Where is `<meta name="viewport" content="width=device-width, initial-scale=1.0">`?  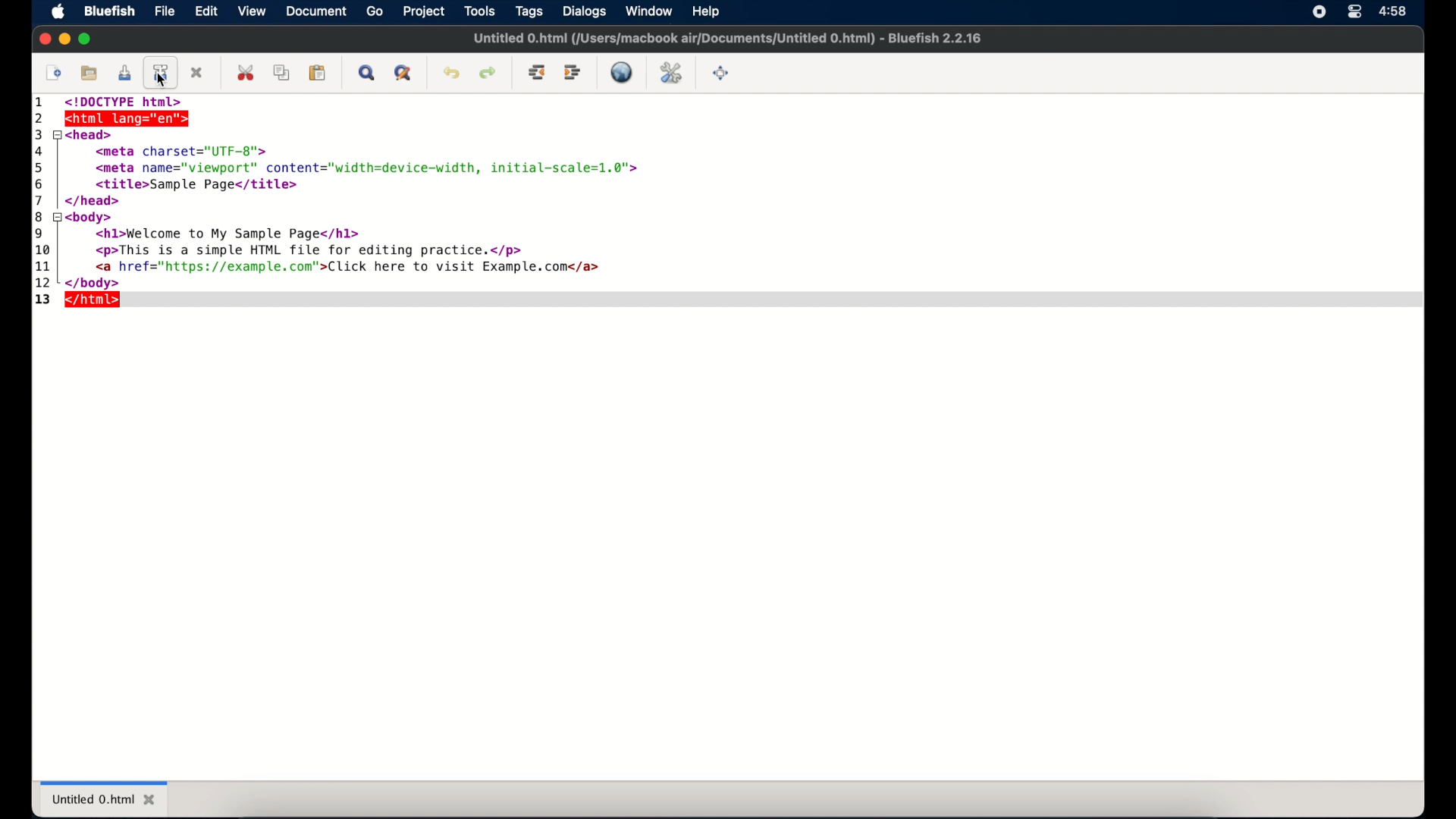 <meta name="viewport" content="width=device-width, initial-scale=1.0"> is located at coordinates (358, 166).